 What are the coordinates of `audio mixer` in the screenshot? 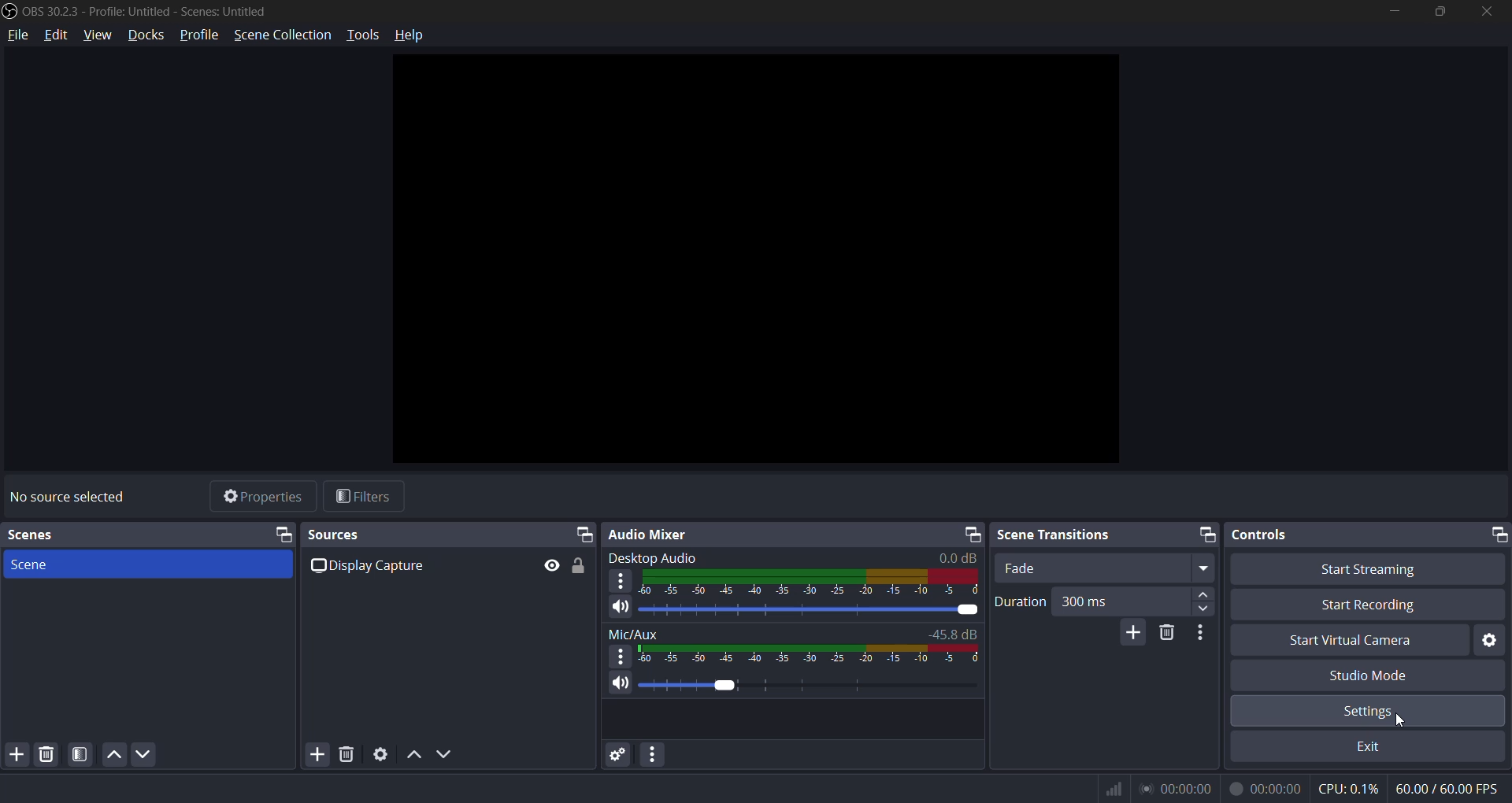 It's located at (779, 535).